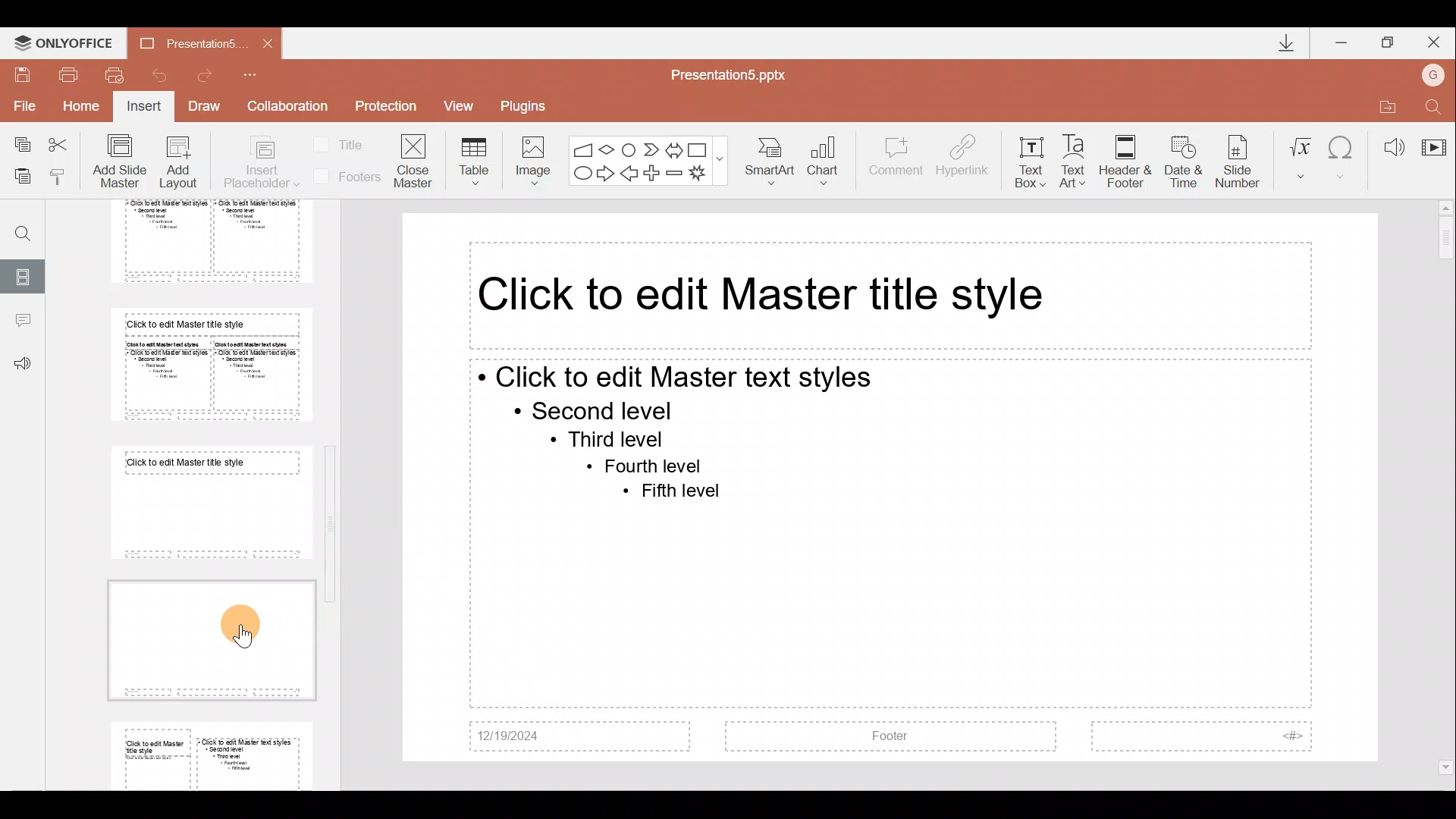 The image size is (1456, 819). Describe the element at coordinates (673, 147) in the screenshot. I see `Left right arrow` at that location.